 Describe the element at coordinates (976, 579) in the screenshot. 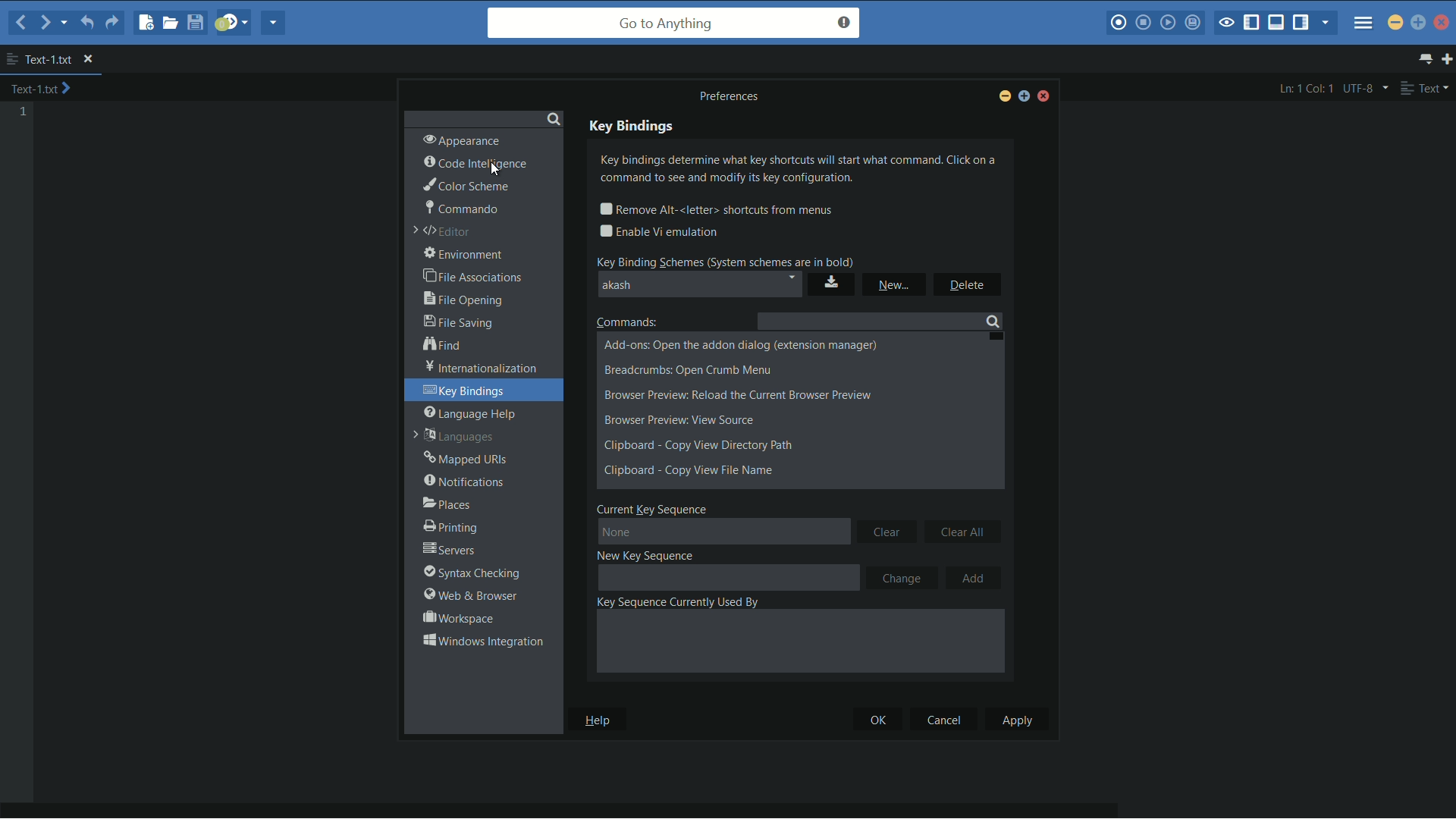

I see `add` at that location.